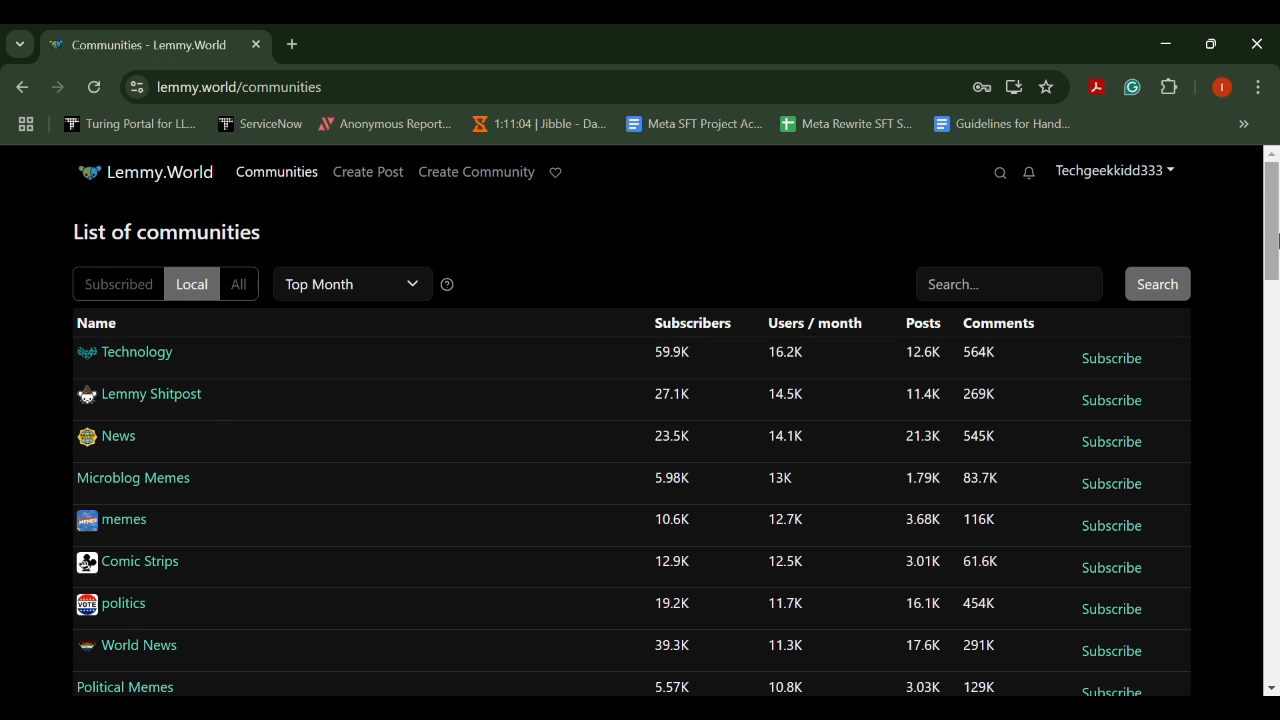 This screenshot has height=720, width=1280. What do you see at coordinates (556, 173) in the screenshot?
I see `Donate to Lemmy` at bounding box center [556, 173].